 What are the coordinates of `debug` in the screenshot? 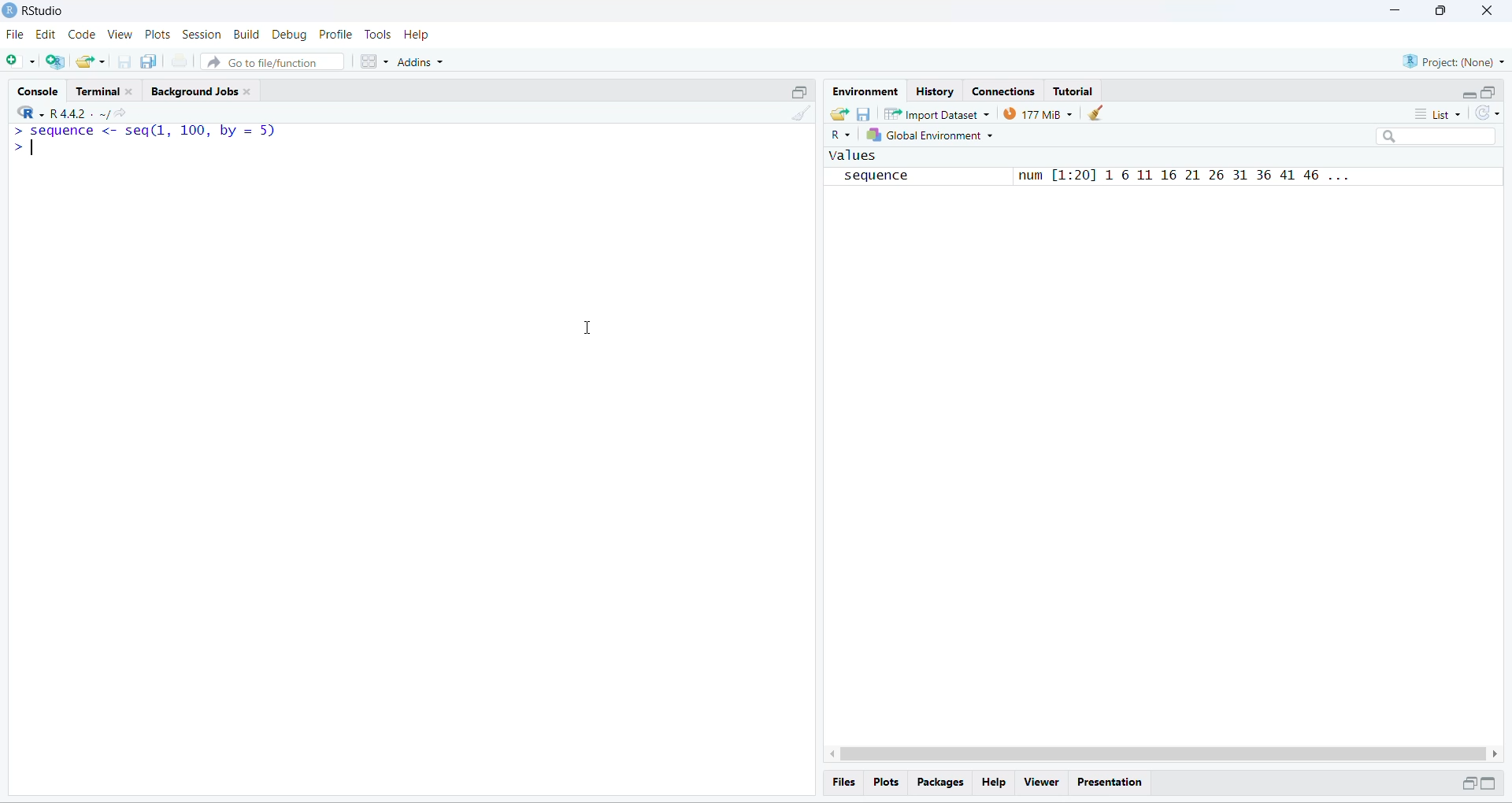 It's located at (291, 35).